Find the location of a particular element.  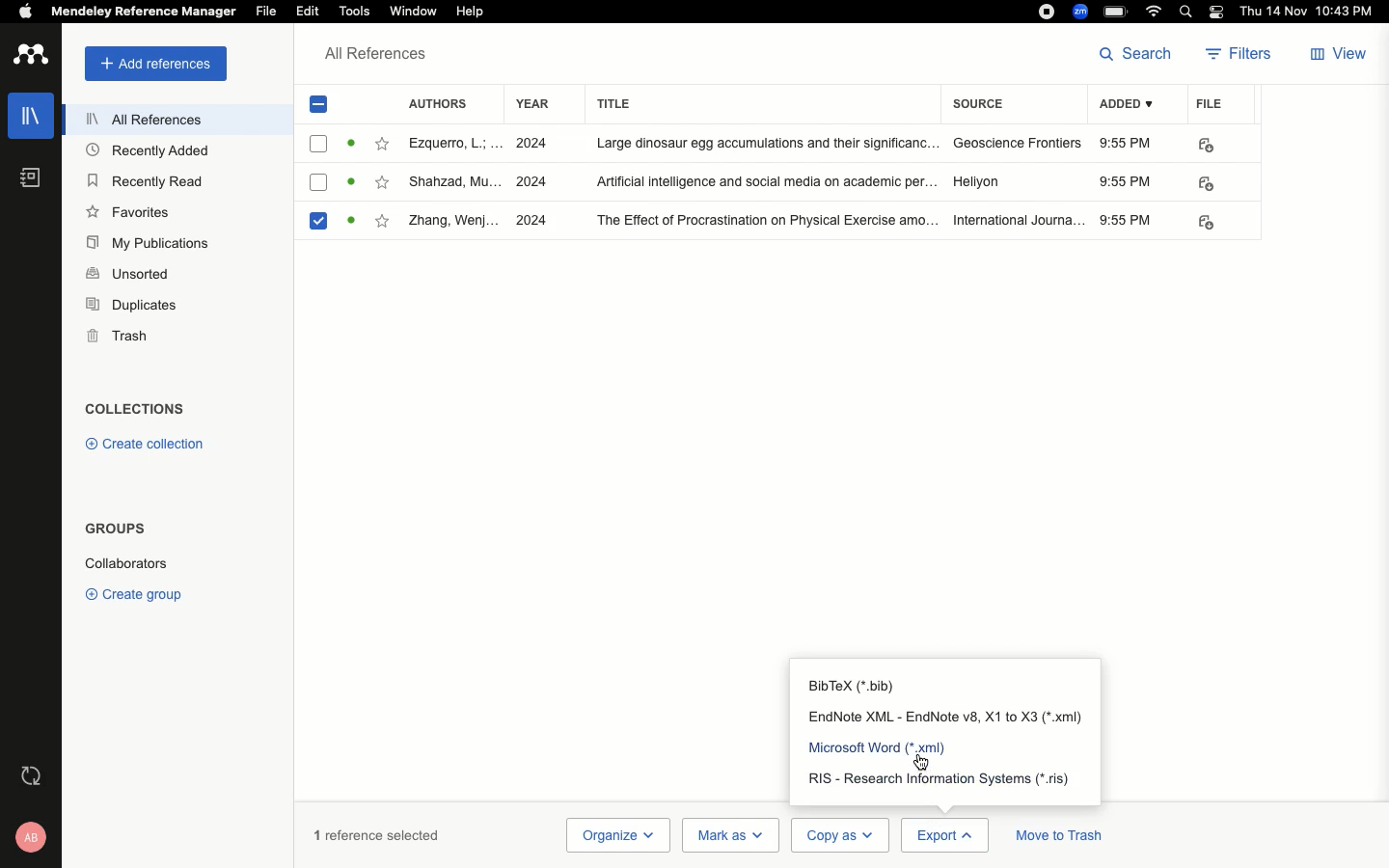

Filters is located at coordinates (1240, 56).